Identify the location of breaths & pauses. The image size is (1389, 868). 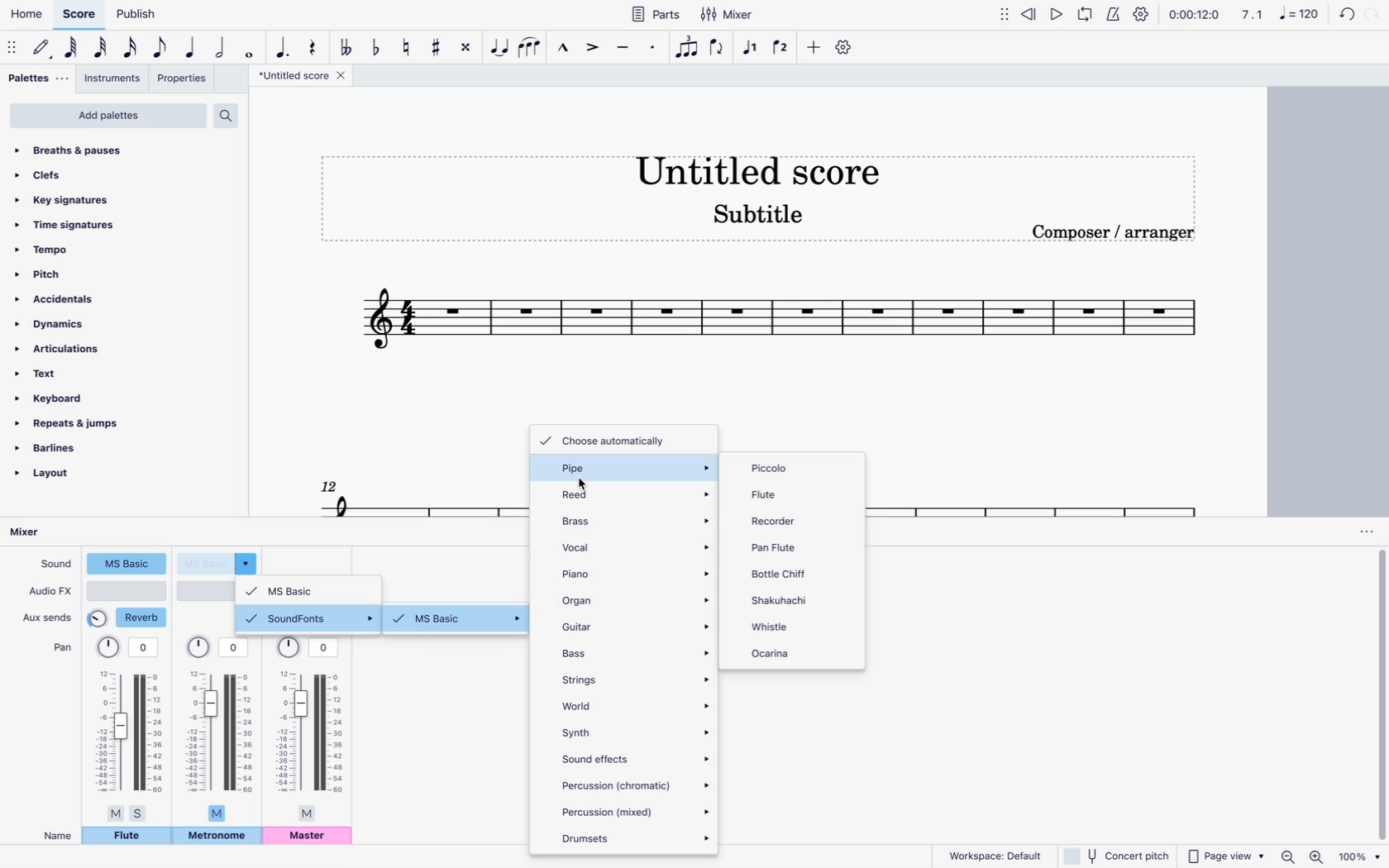
(120, 150).